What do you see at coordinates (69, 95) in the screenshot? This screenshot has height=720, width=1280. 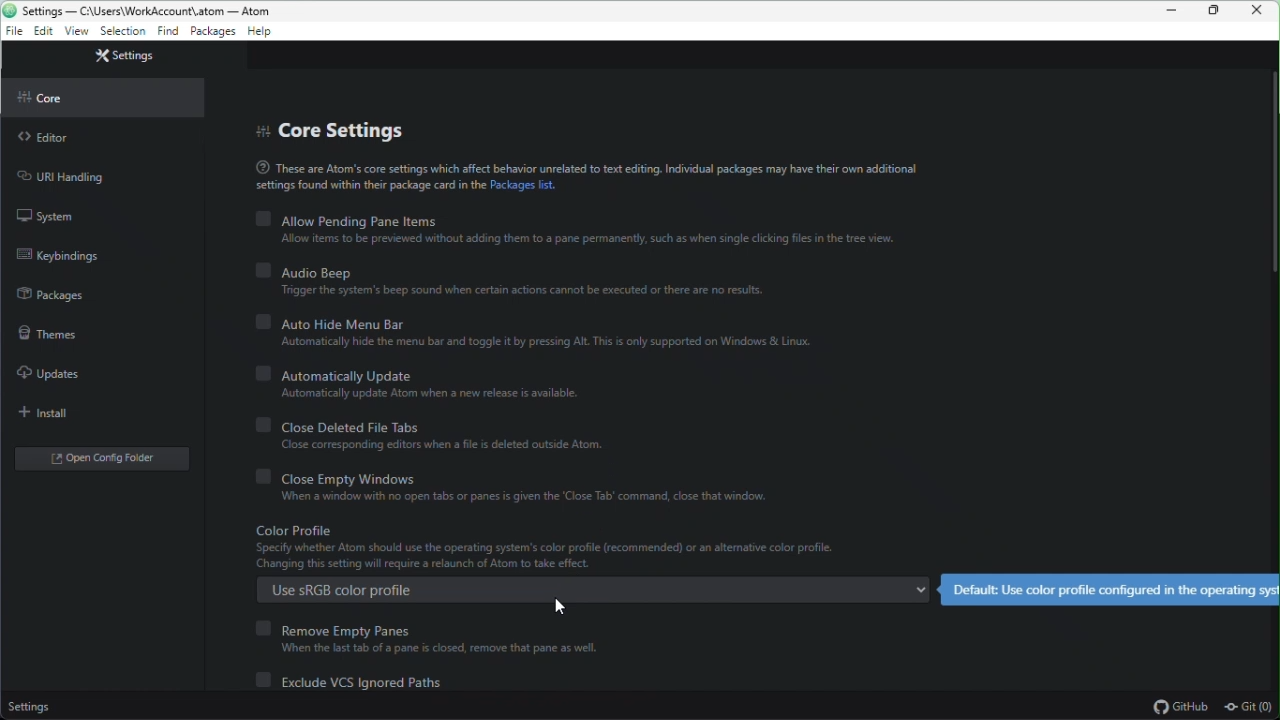 I see `Core` at bounding box center [69, 95].